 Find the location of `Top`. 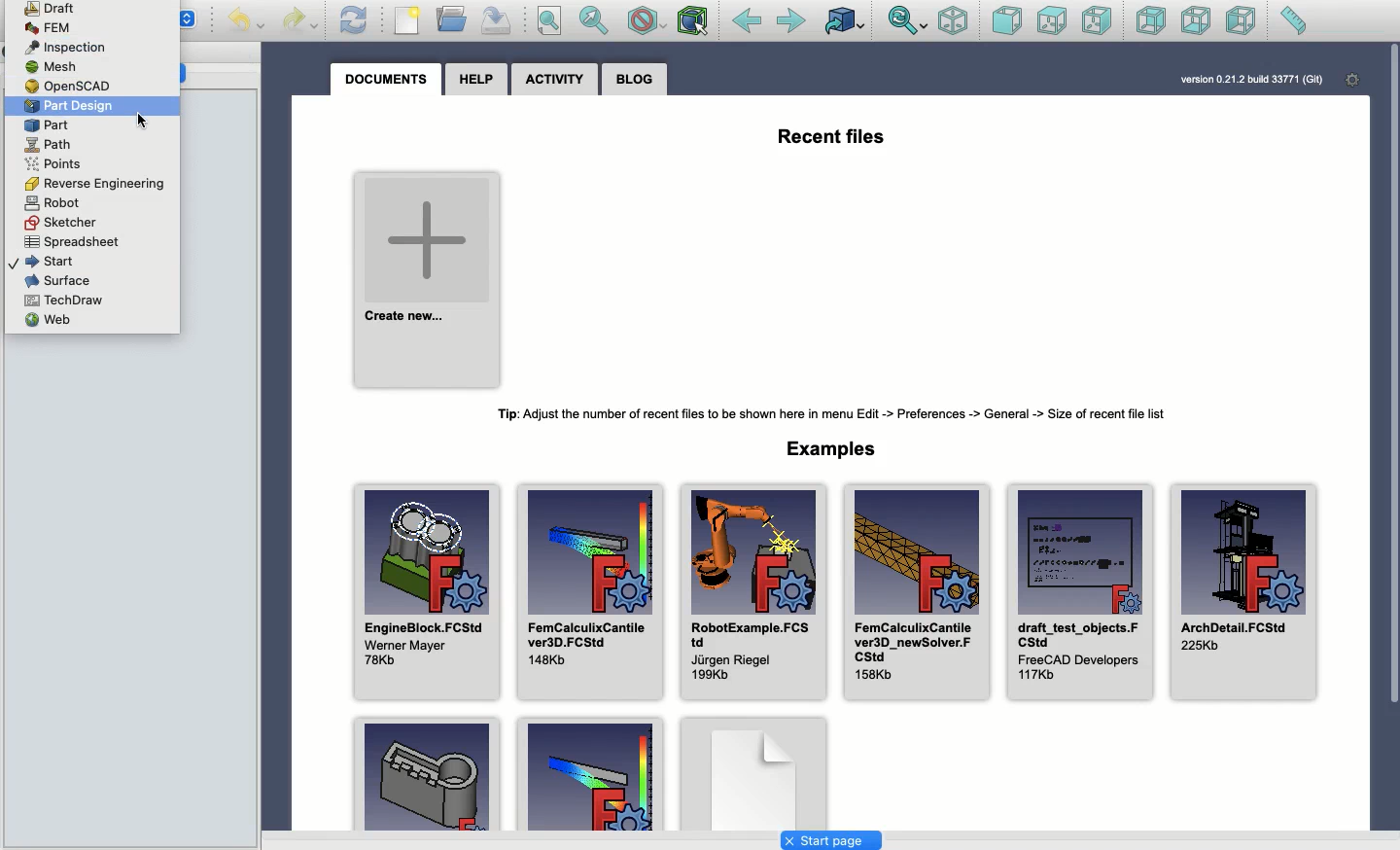

Top is located at coordinates (1051, 21).